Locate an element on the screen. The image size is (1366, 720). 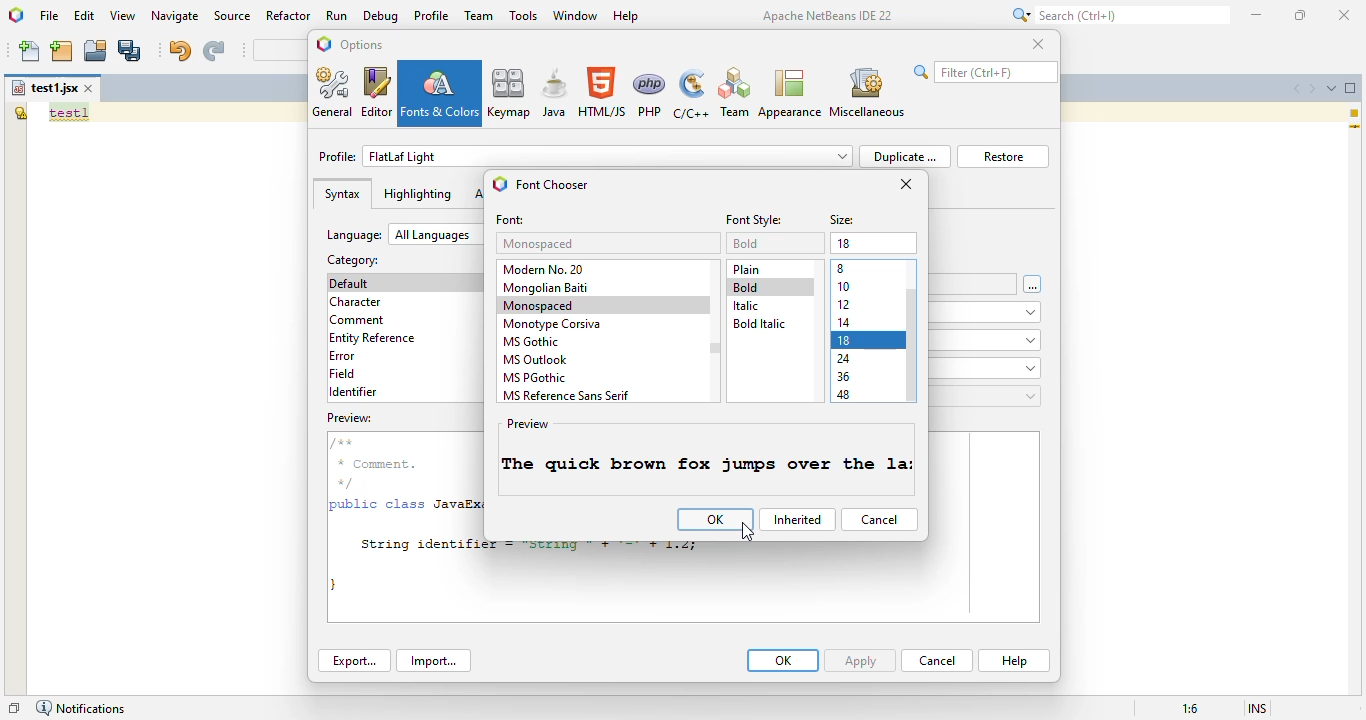
duplicate is located at coordinates (905, 156).